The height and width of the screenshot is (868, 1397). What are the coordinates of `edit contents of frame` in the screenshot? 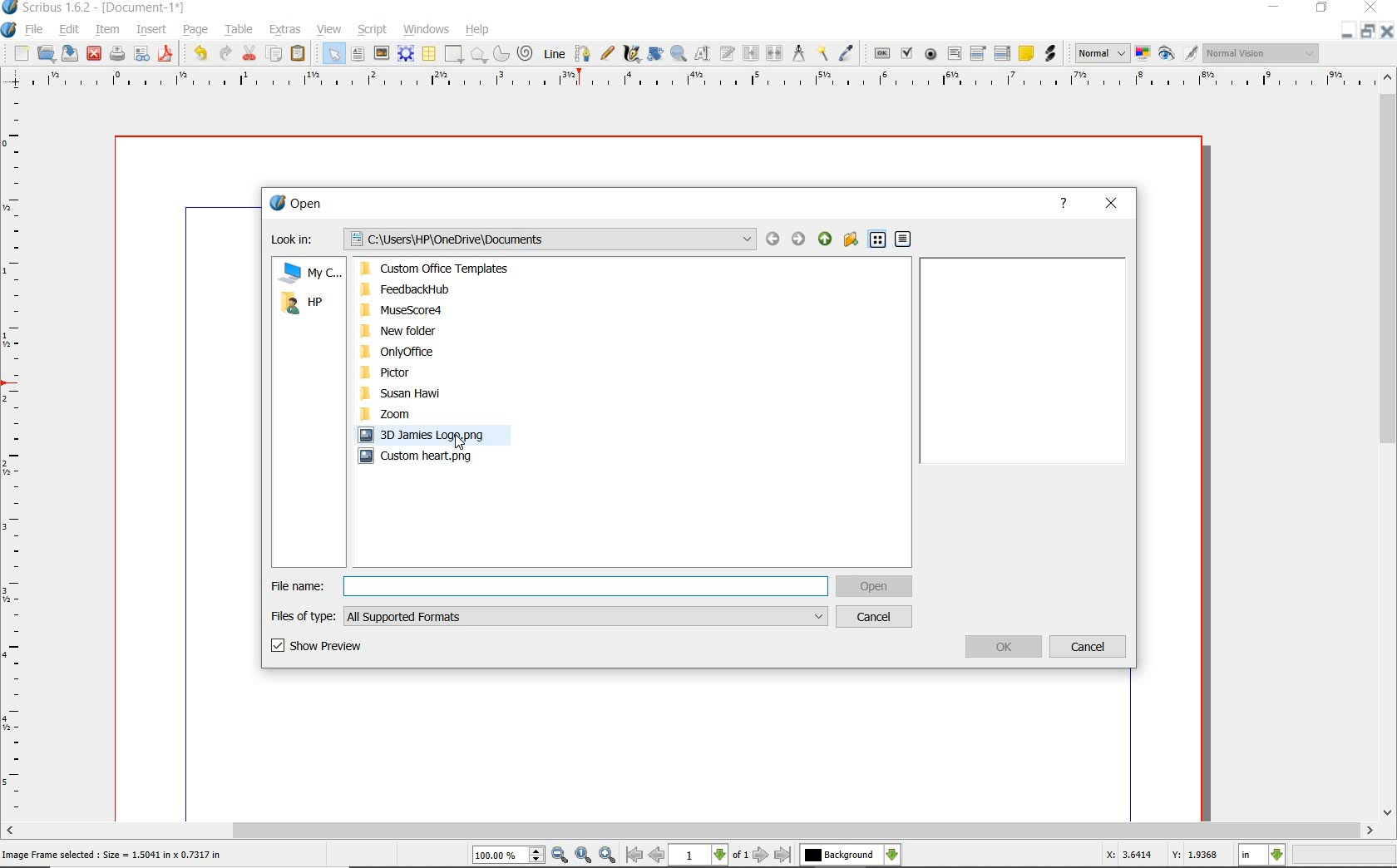 It's located at (703, 54).